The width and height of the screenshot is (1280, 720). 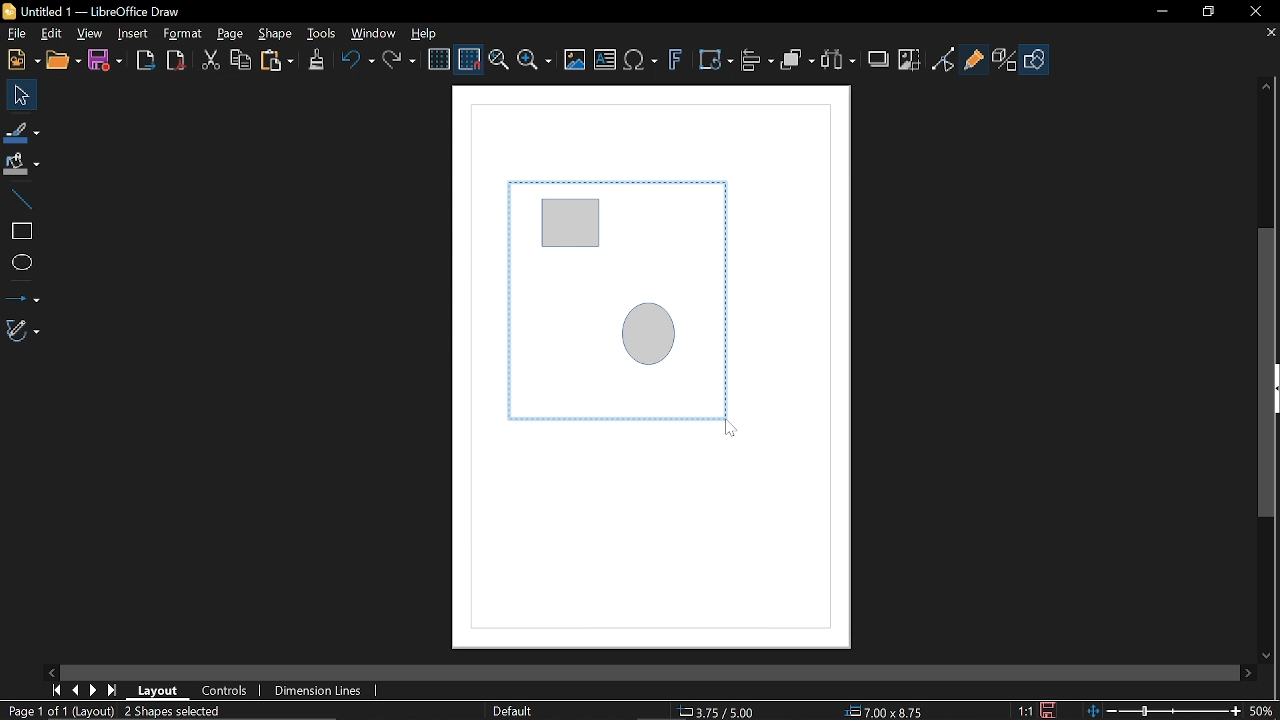 What do you see at coordinates (96, 691) in the screenshot?
I see `Next page` at bounding box center [96, 691].